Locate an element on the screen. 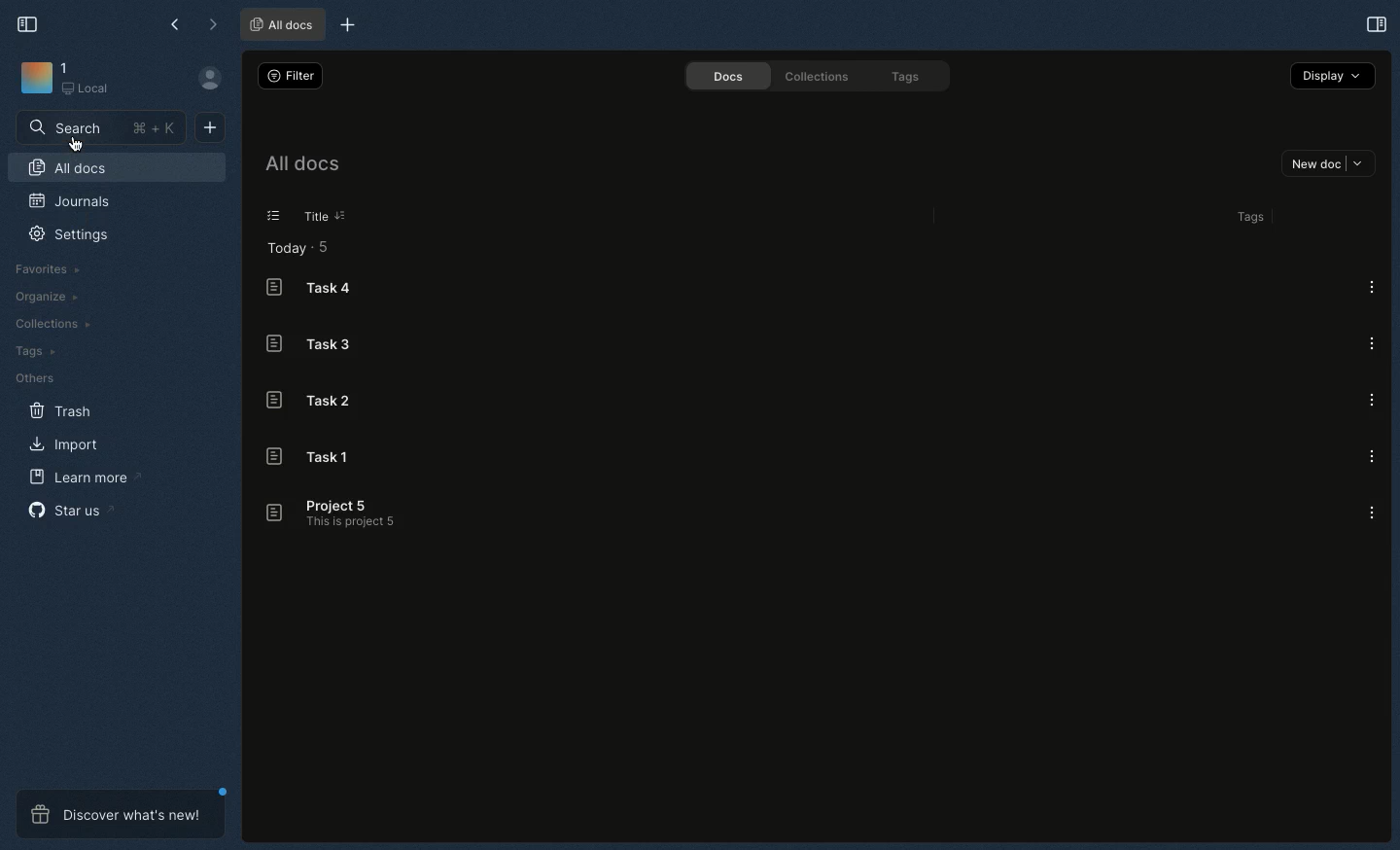 The image size is (1400, 850). Tags is located at coordinates (37, 350).